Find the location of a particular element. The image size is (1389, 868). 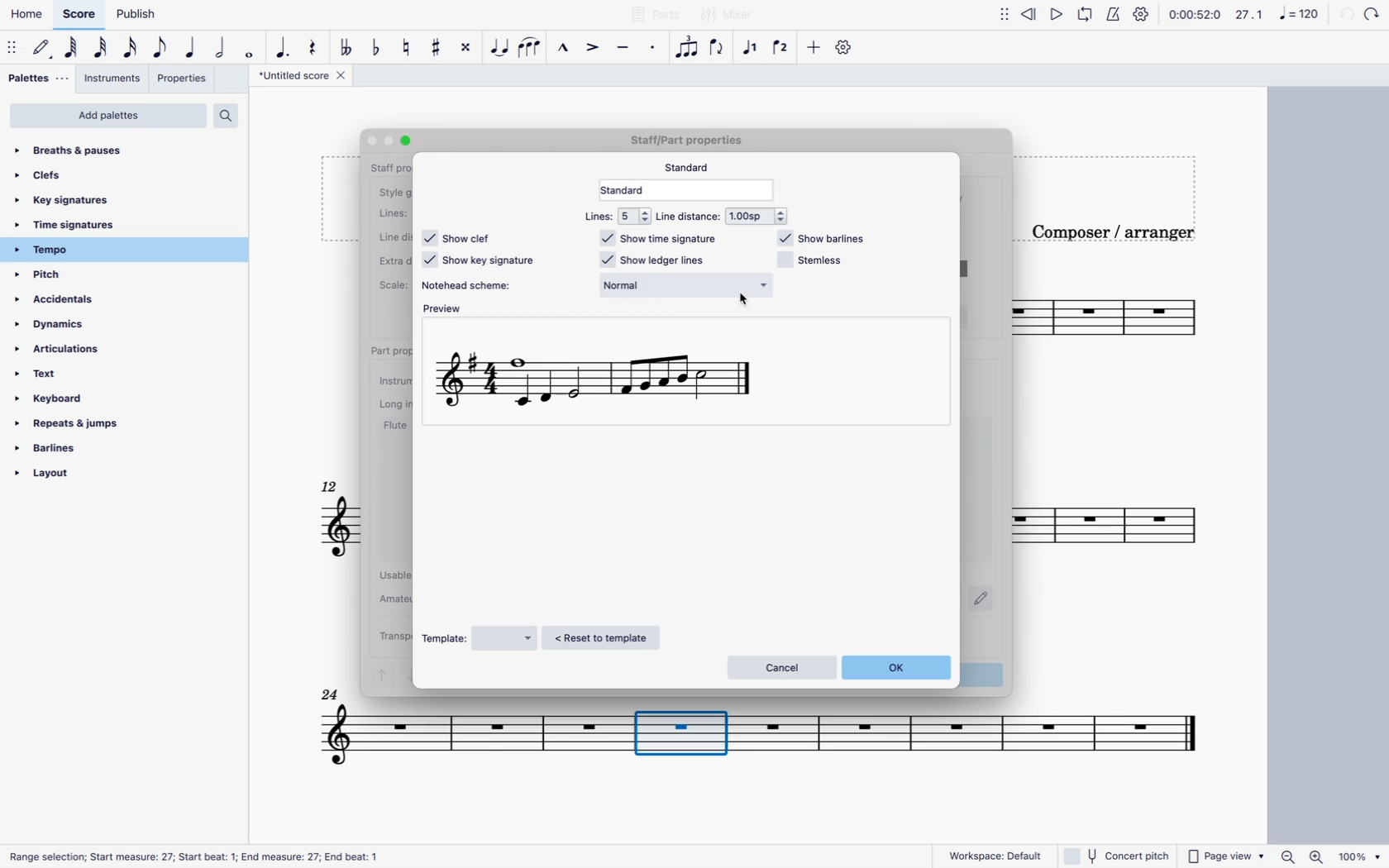

settings is located at coordinates (1143, 16).